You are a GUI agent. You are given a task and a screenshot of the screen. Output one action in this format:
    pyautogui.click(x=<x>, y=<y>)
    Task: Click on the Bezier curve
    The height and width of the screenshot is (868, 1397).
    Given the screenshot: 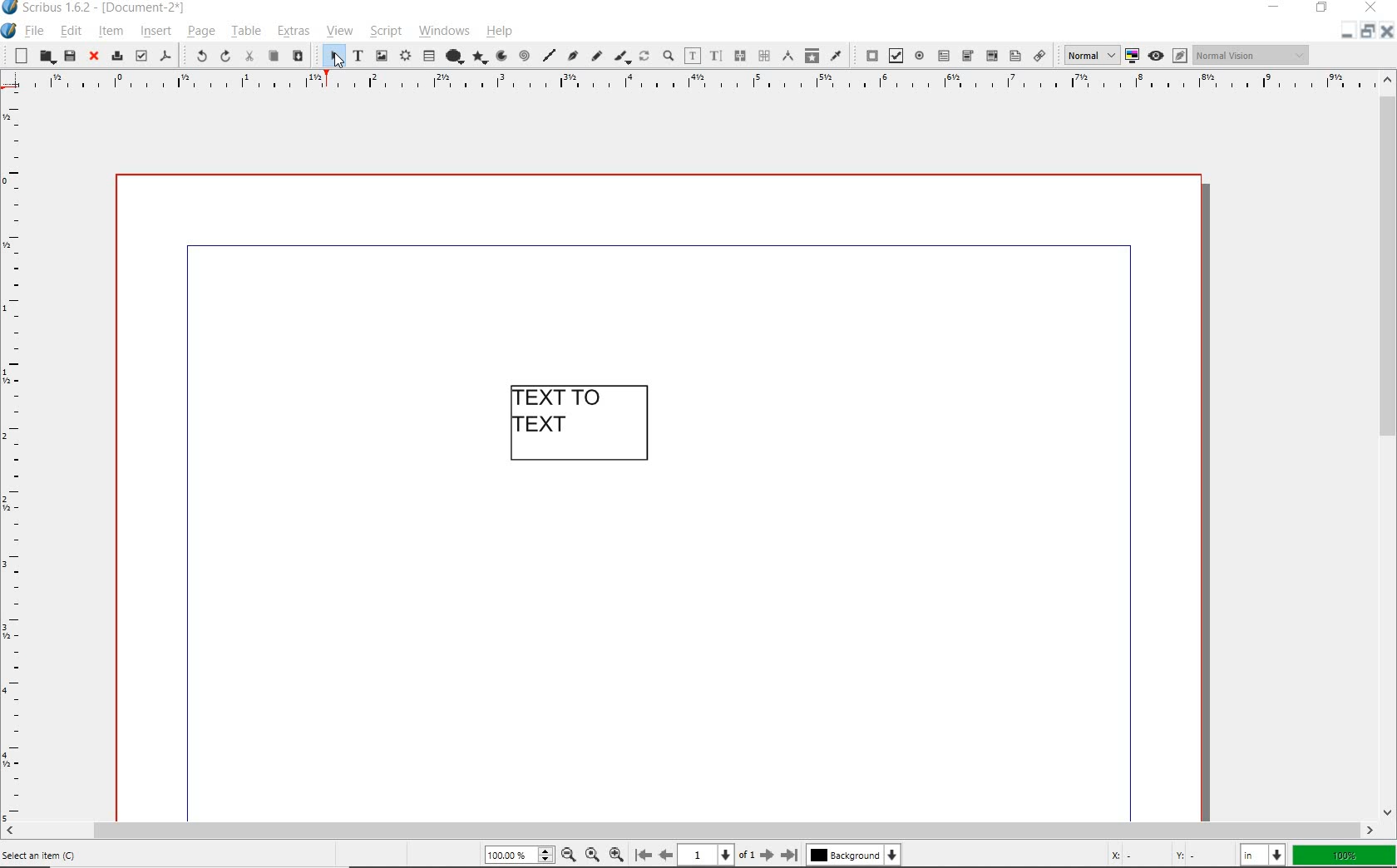 What is the action you would take?
    pyautogui.click(x=572, y=55)
    